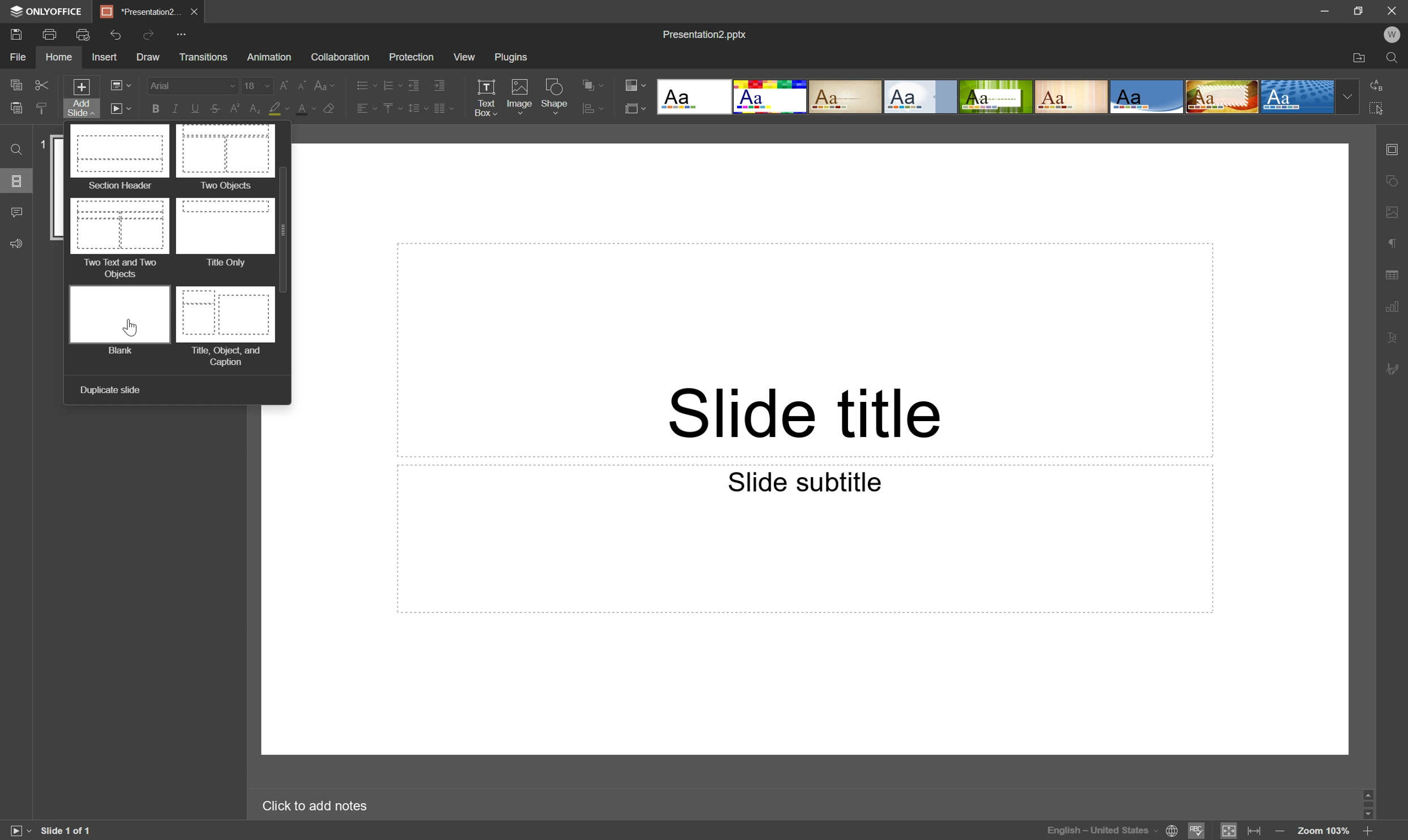 The width and height of the screenshot is (1408, 840). Describe the element at coordinates (281, 83) in the screenshot. I see `Increment font size` at that location.